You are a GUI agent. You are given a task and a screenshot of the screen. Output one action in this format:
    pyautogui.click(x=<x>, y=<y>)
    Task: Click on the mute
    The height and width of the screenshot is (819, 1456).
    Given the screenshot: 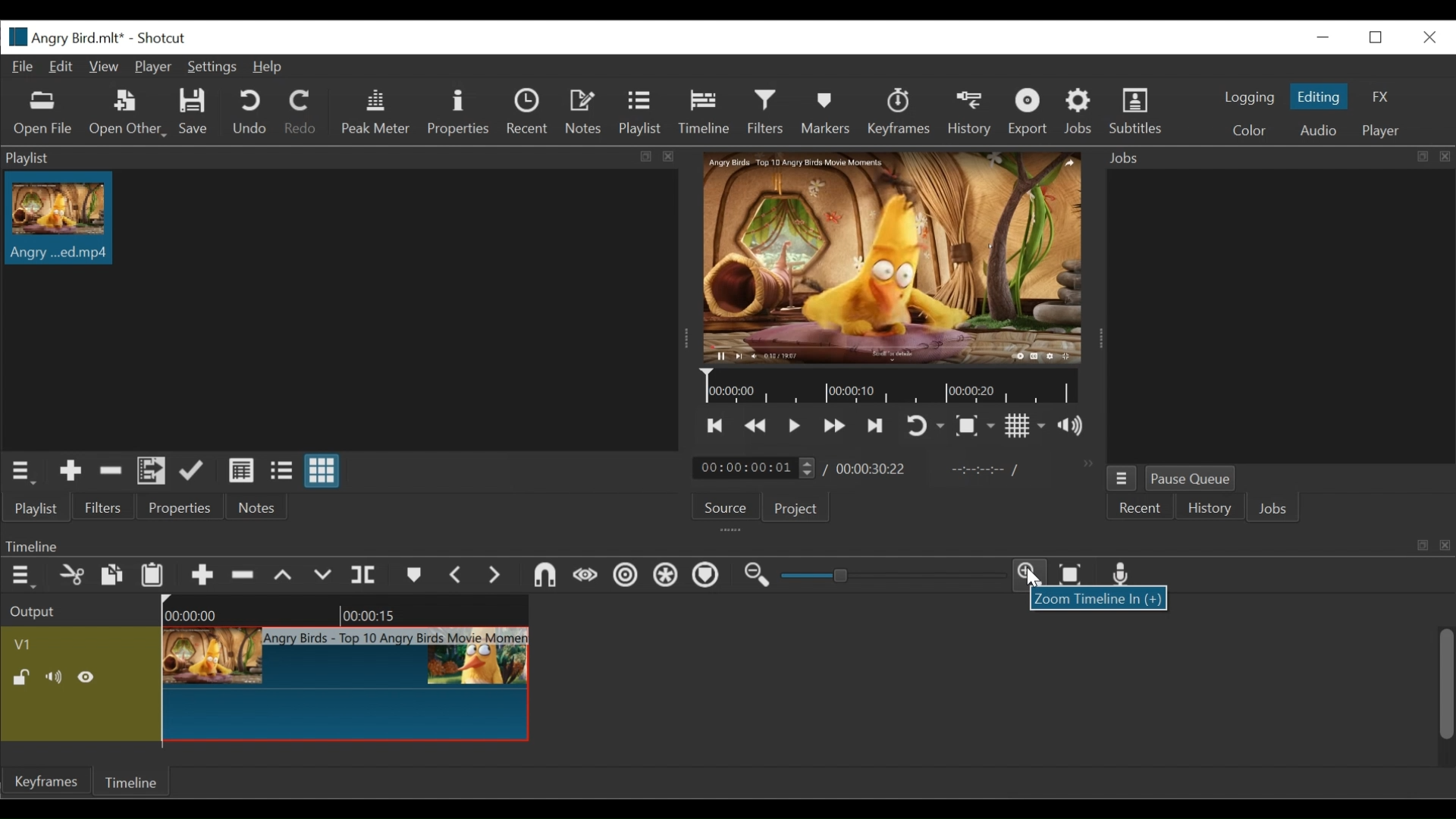 What is the action you would take?
    pyautogui.click(x=56, y=678)
    